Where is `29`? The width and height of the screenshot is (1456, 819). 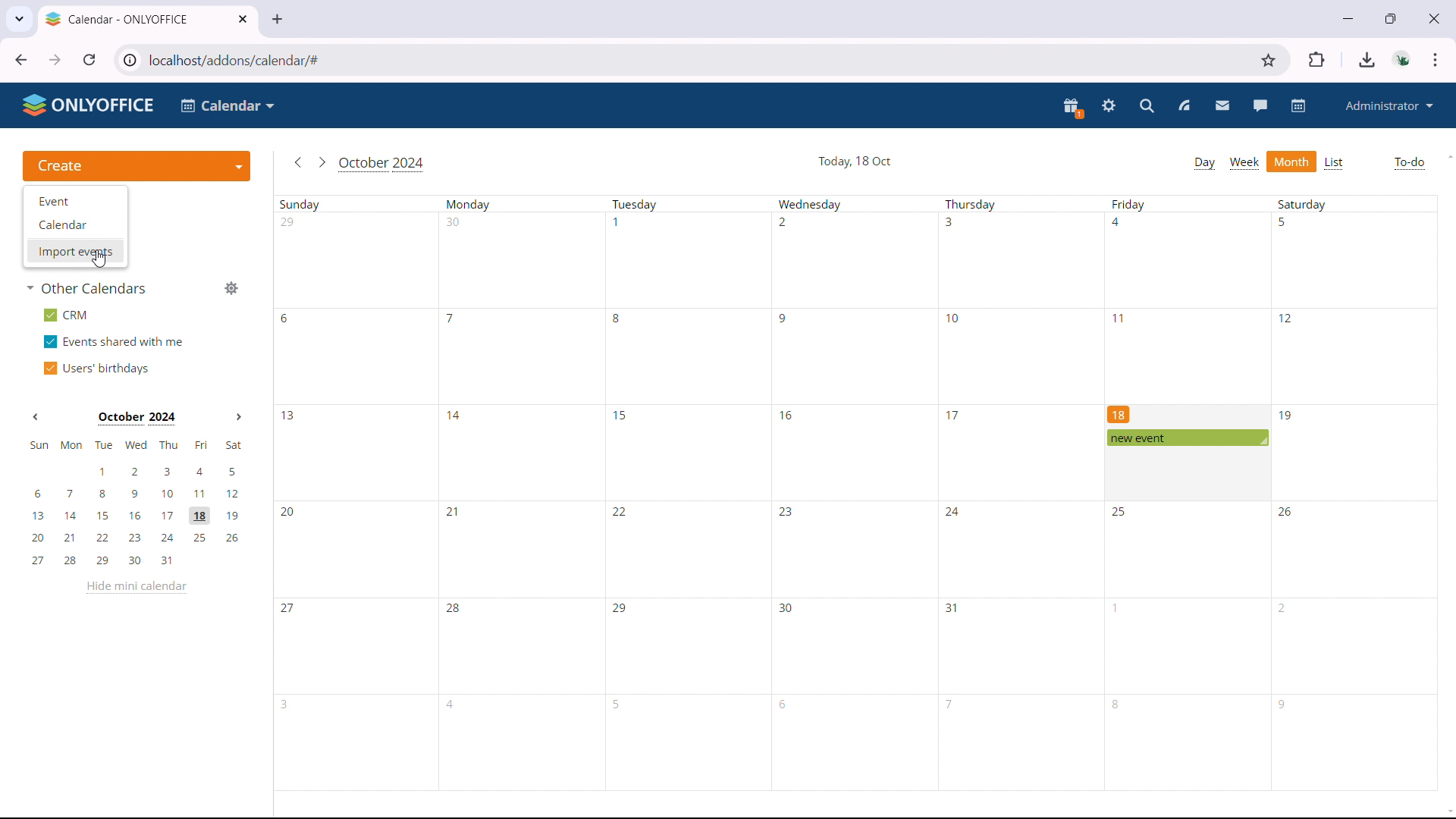 29 is located at coordinates (620, 608).